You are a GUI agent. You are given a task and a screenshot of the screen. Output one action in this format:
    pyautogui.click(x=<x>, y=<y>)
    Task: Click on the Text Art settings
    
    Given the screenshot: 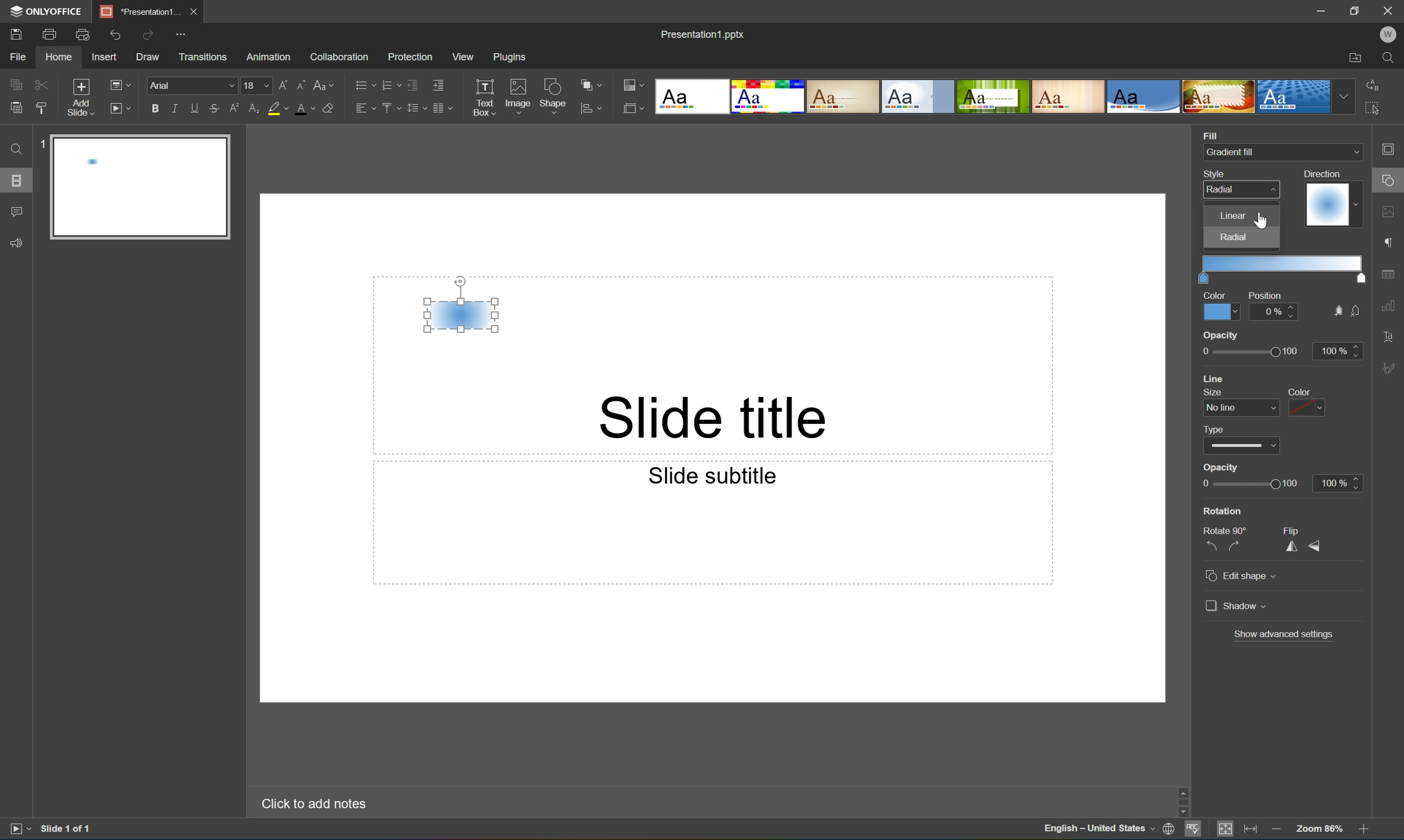 What is the action you would take?
    pyautogui.click(x=1389, y=336)
    